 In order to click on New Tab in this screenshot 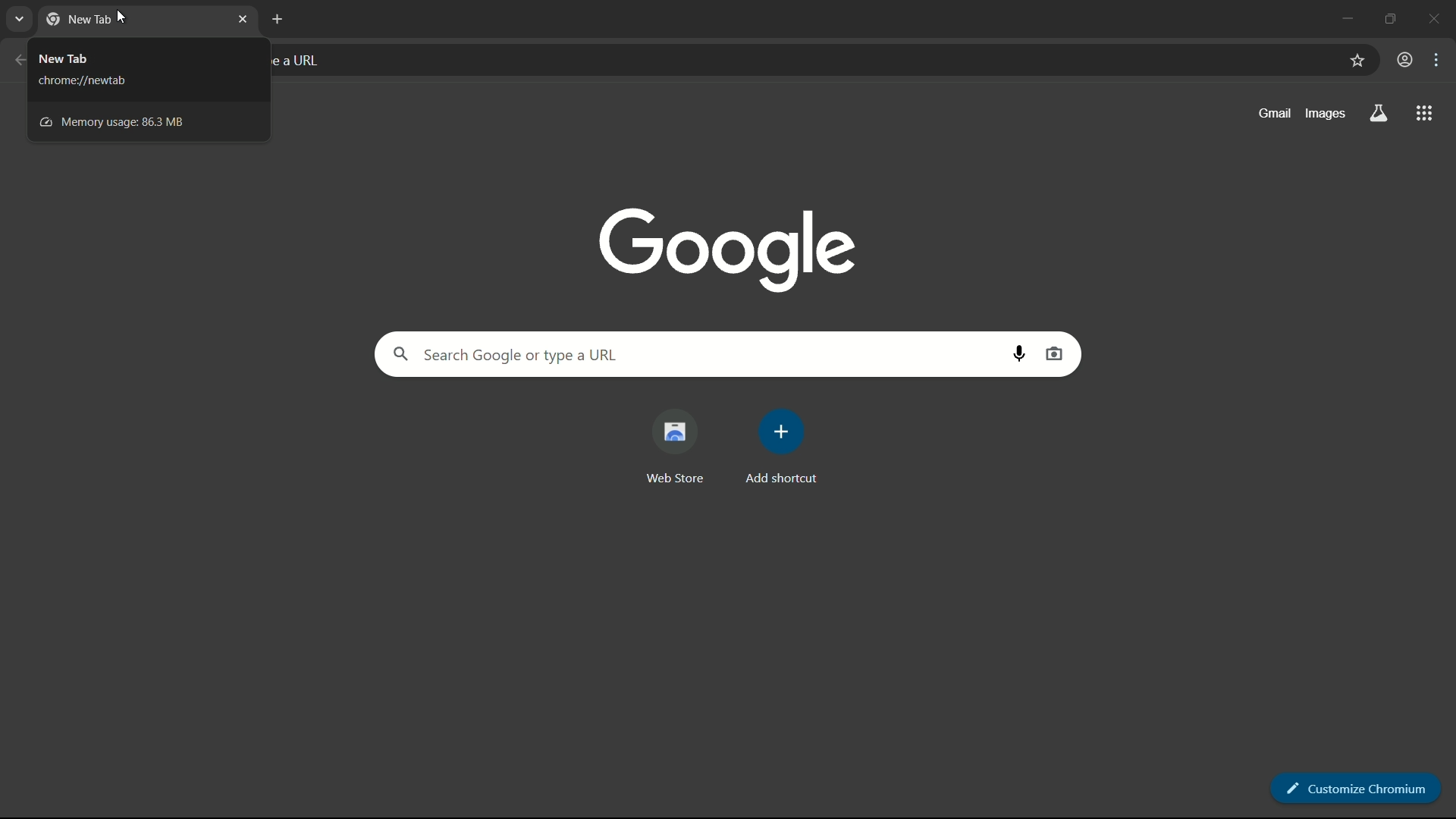, I will do `click(72, 55)`.